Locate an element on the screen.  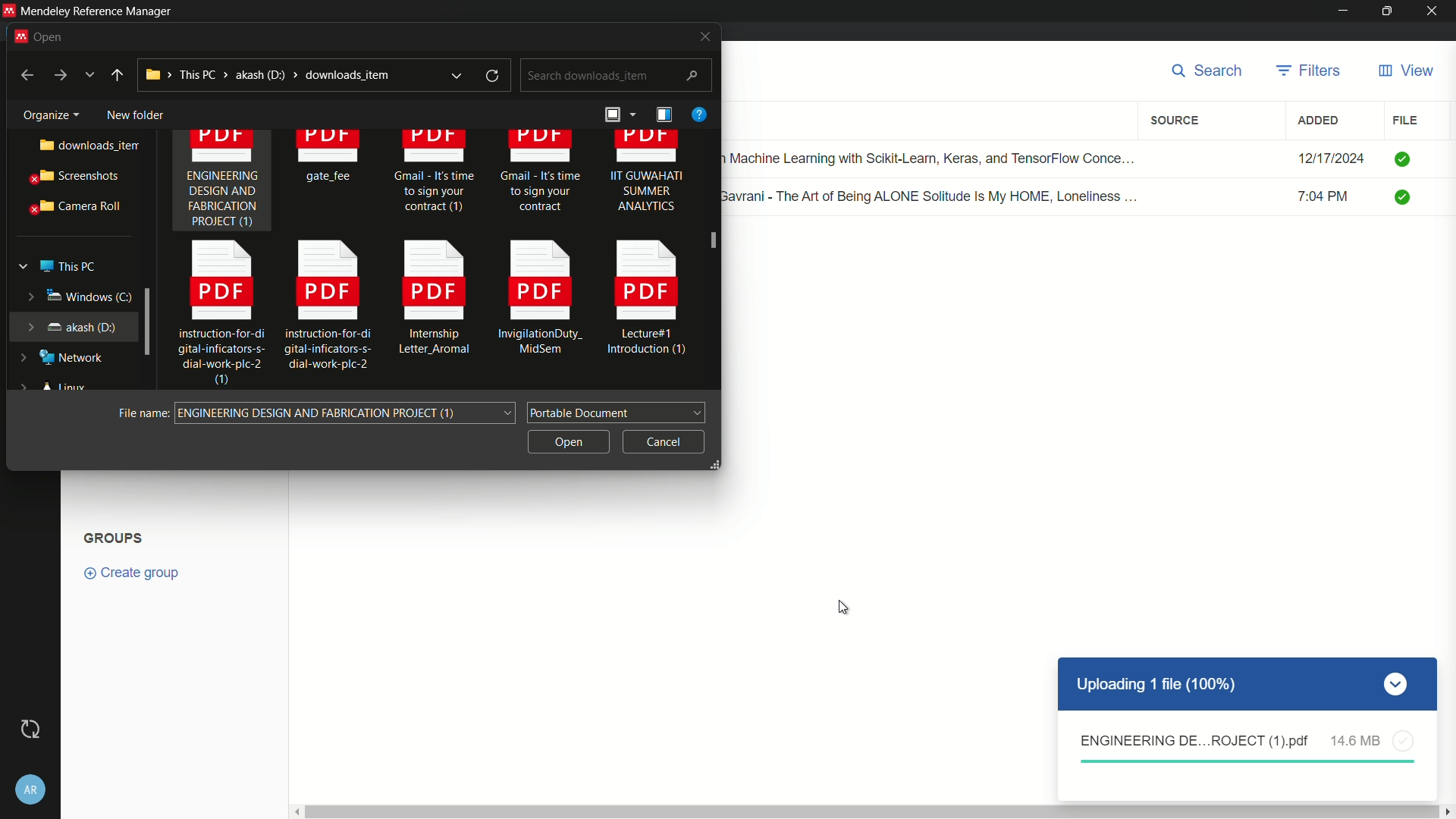
Sync is located at coordinates (30, 729).